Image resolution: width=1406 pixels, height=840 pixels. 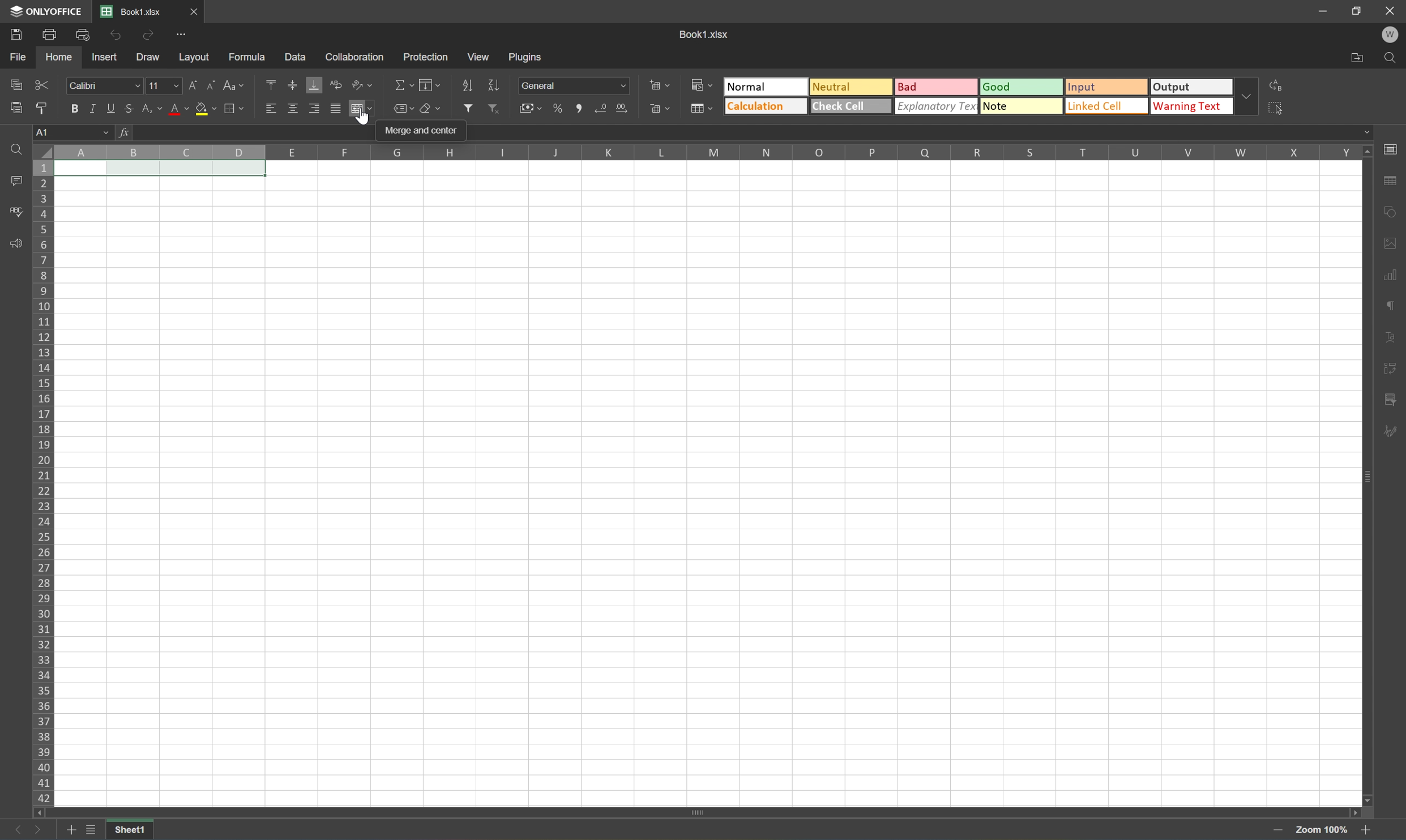 What do you see at coordinates (232, 85) in the screenshot?
I see `Change case` at bounding box center [232, 85].